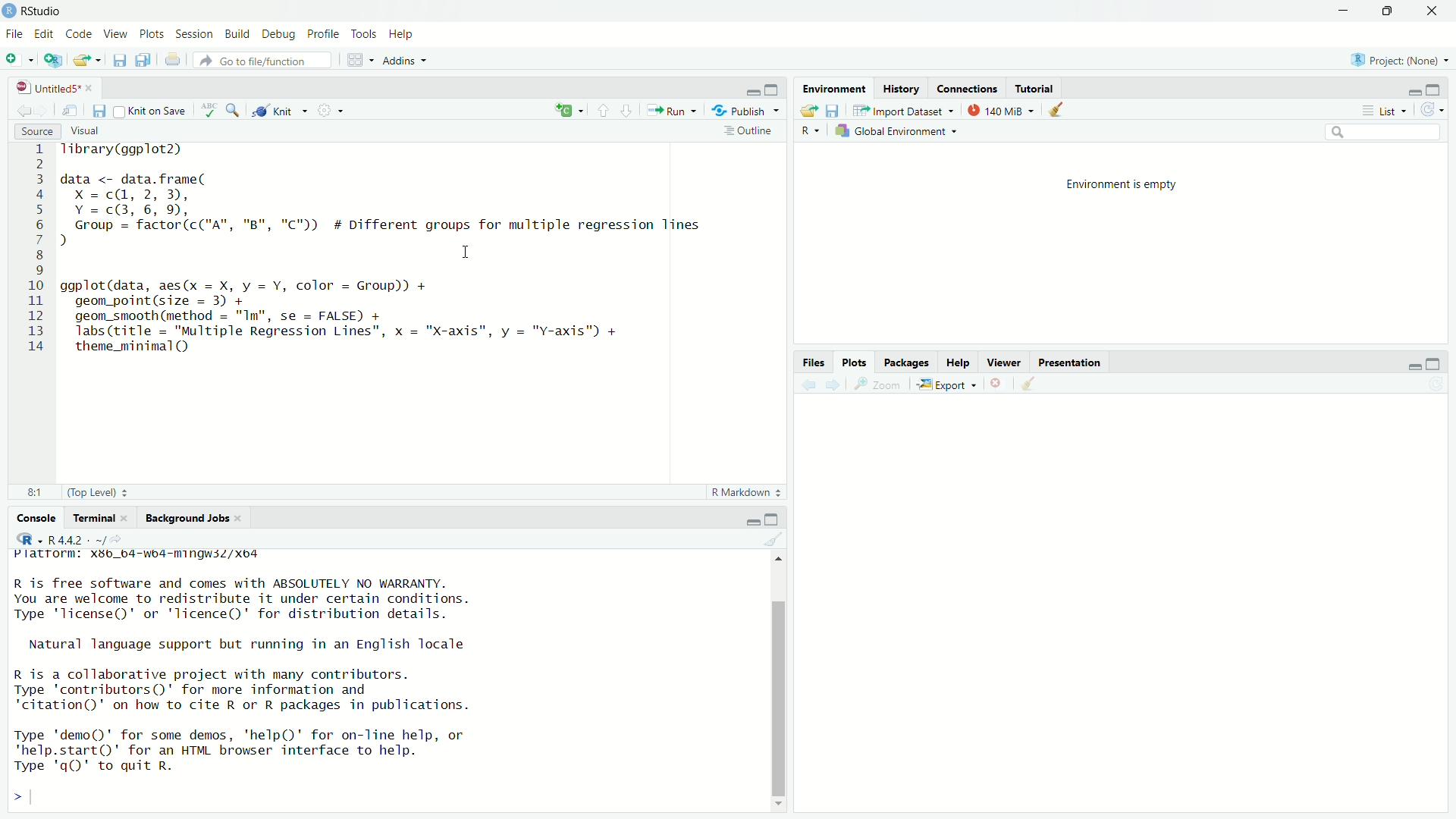 The image size is (1456, 819). Describe the element at coordinates (1040, 86) in the screenshot. I see `Tutorial` at that location.